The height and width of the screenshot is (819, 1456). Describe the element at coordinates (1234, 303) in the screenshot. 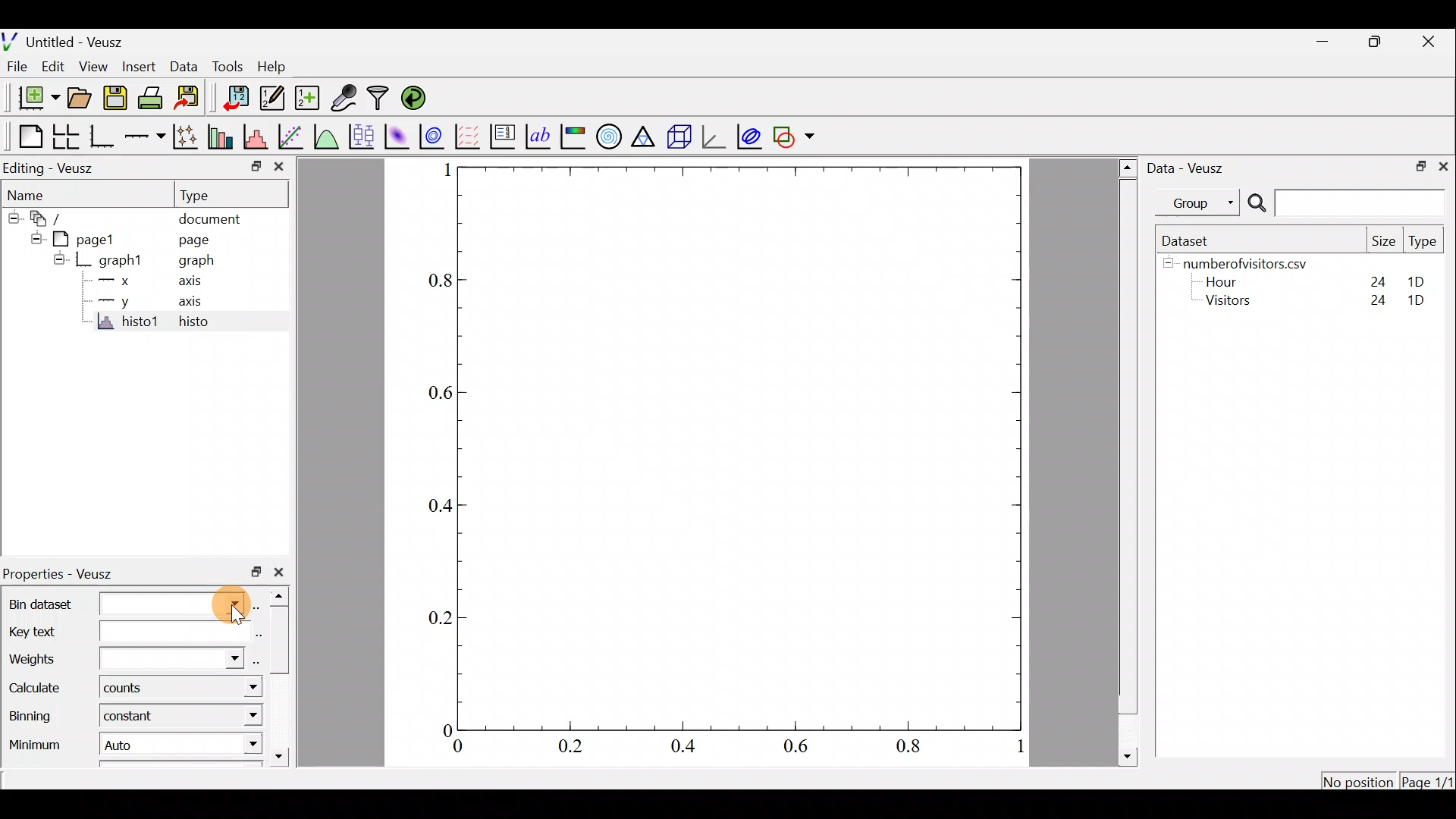

I see `Visitors` at that location.